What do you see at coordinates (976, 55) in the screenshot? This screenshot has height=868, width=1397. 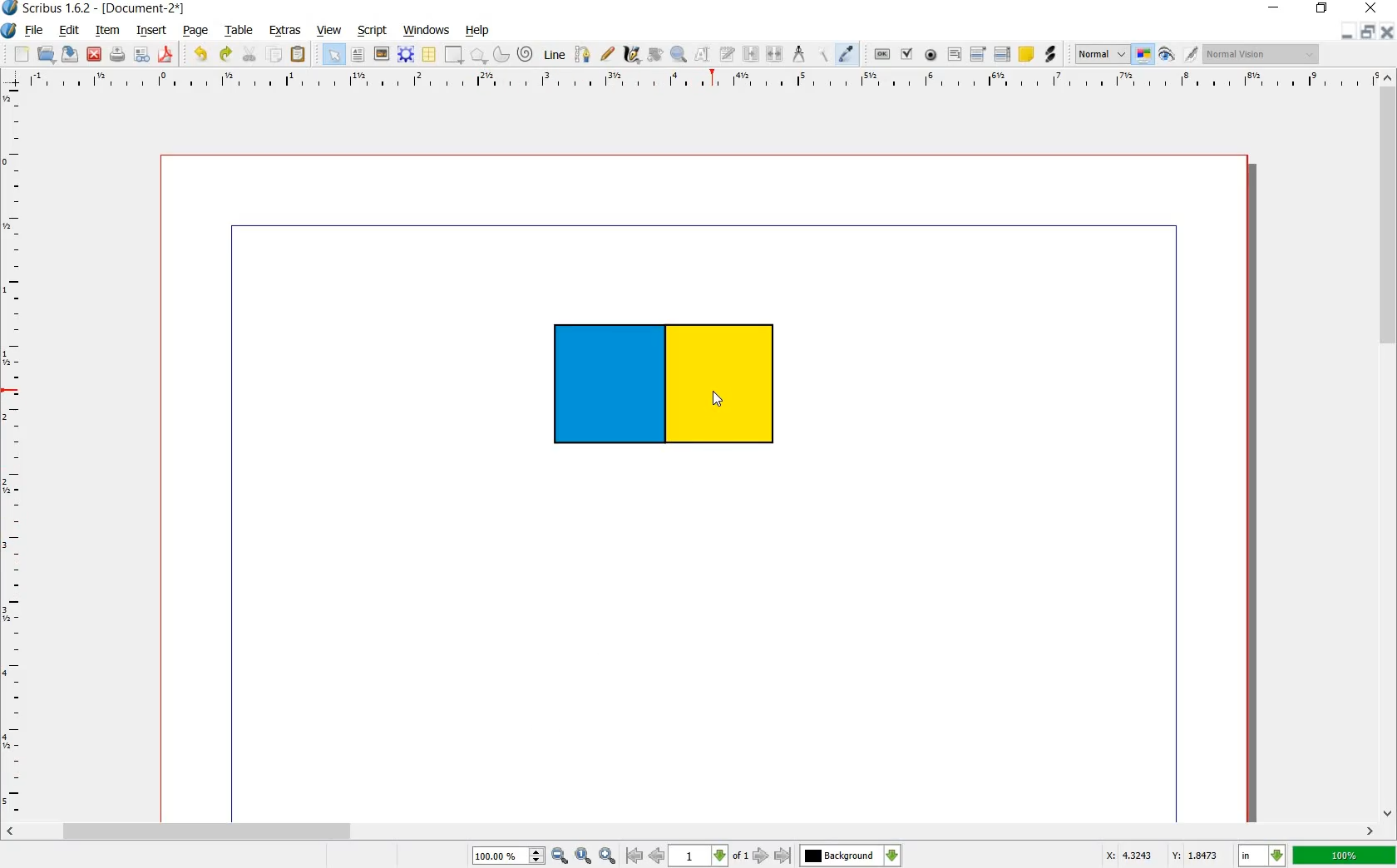 I see `pdf combo box` at bounding box center [976, 55].